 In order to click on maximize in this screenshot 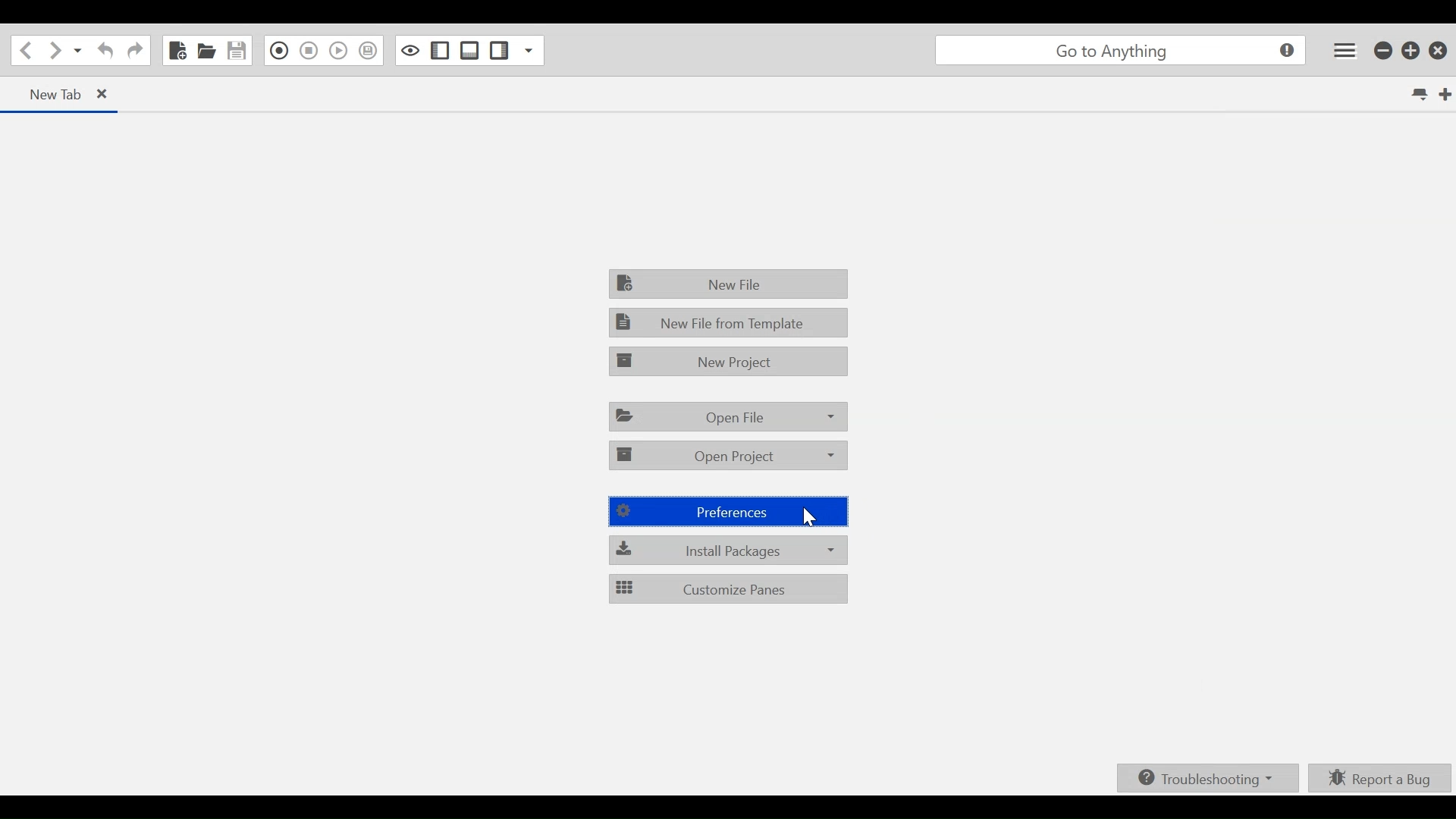, I will do `click(1412, 52)`.